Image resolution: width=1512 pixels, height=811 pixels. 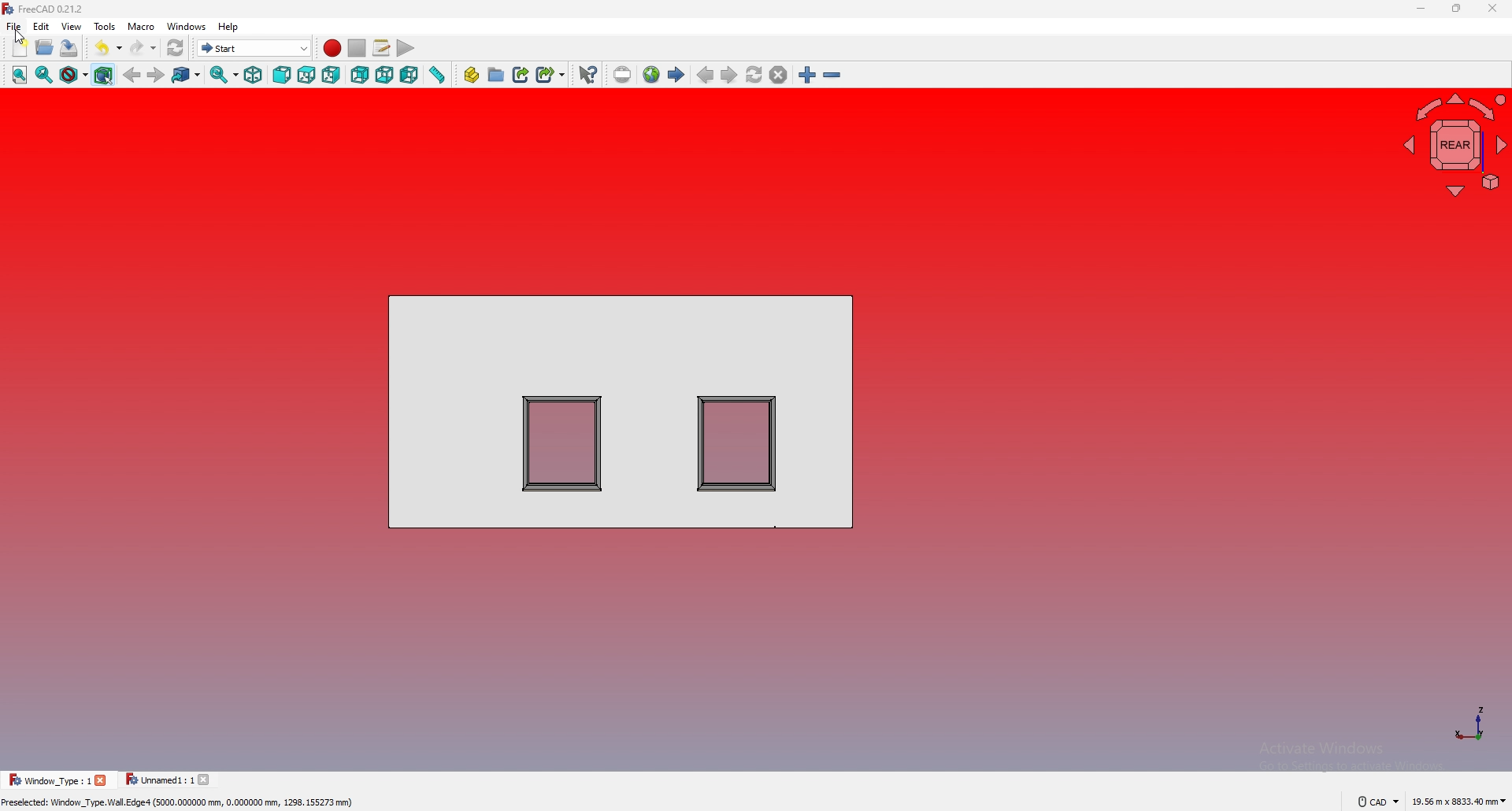 What do you see at coordinates (807, 75) in the screenshot?
I see `zoom in` at bounding box center [807, 75].